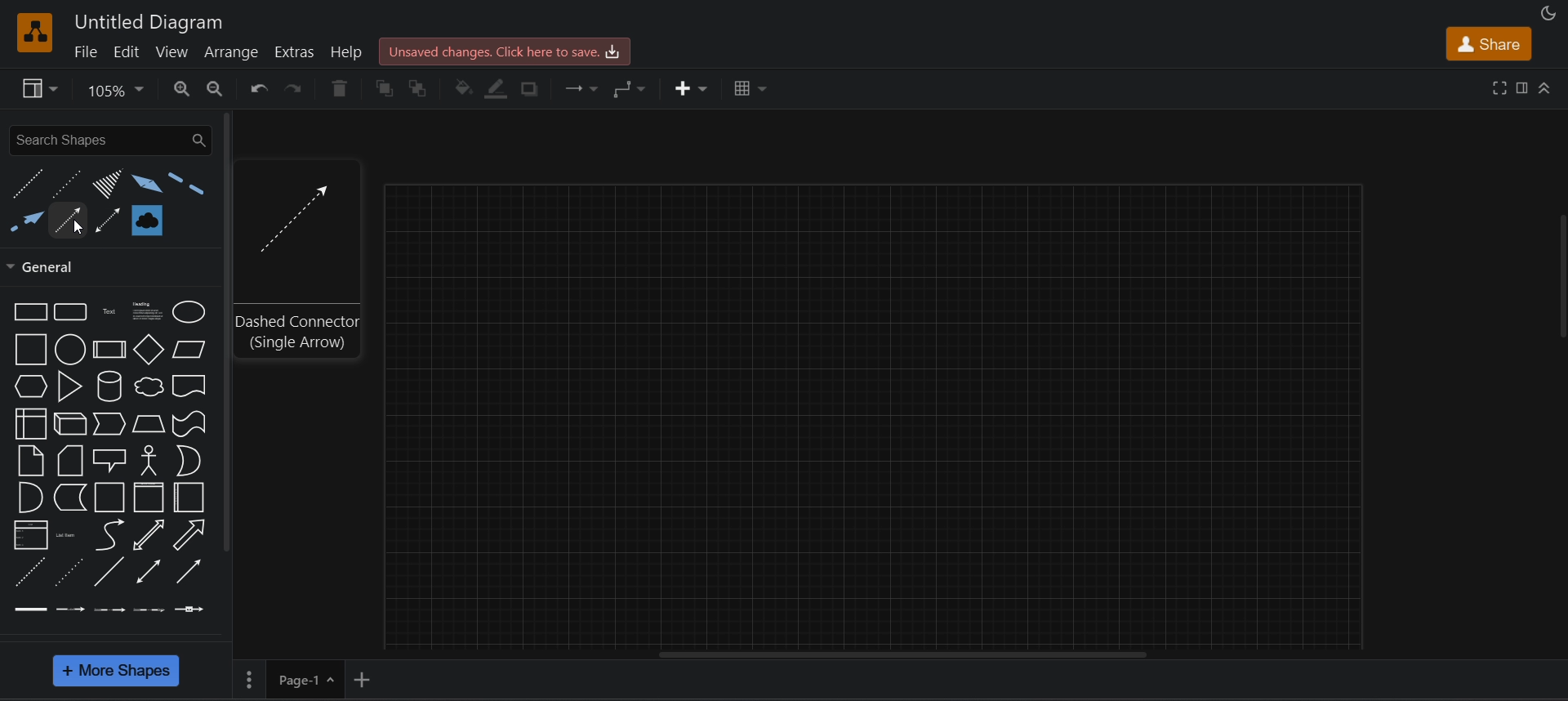 The image size is (1568, 701). What do you see at coordinates (688, 87) in the screenshot?
I see `insert` at bounding box center [688, 87].